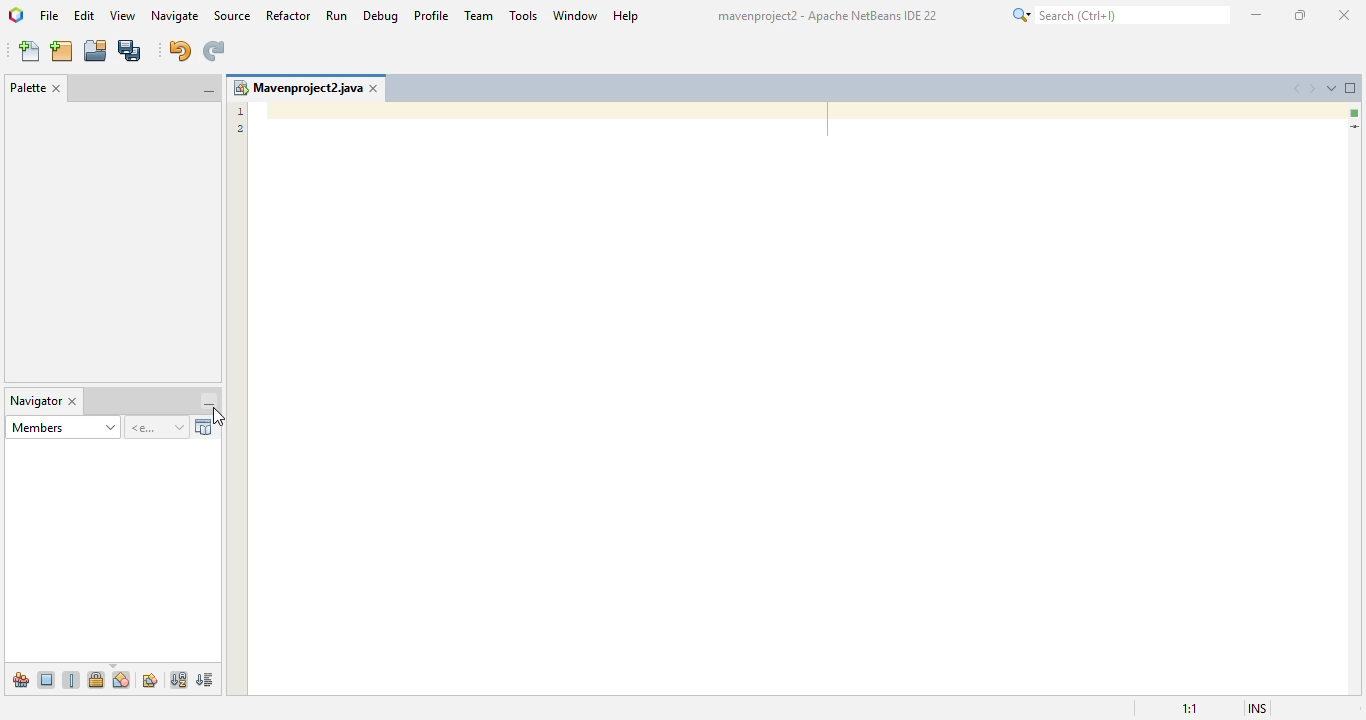 Image resolution: width=1366 pixels, height=720 pixels. Describe the element at coordinates (58, 89) in the screenshot. I see `close window` at that location.